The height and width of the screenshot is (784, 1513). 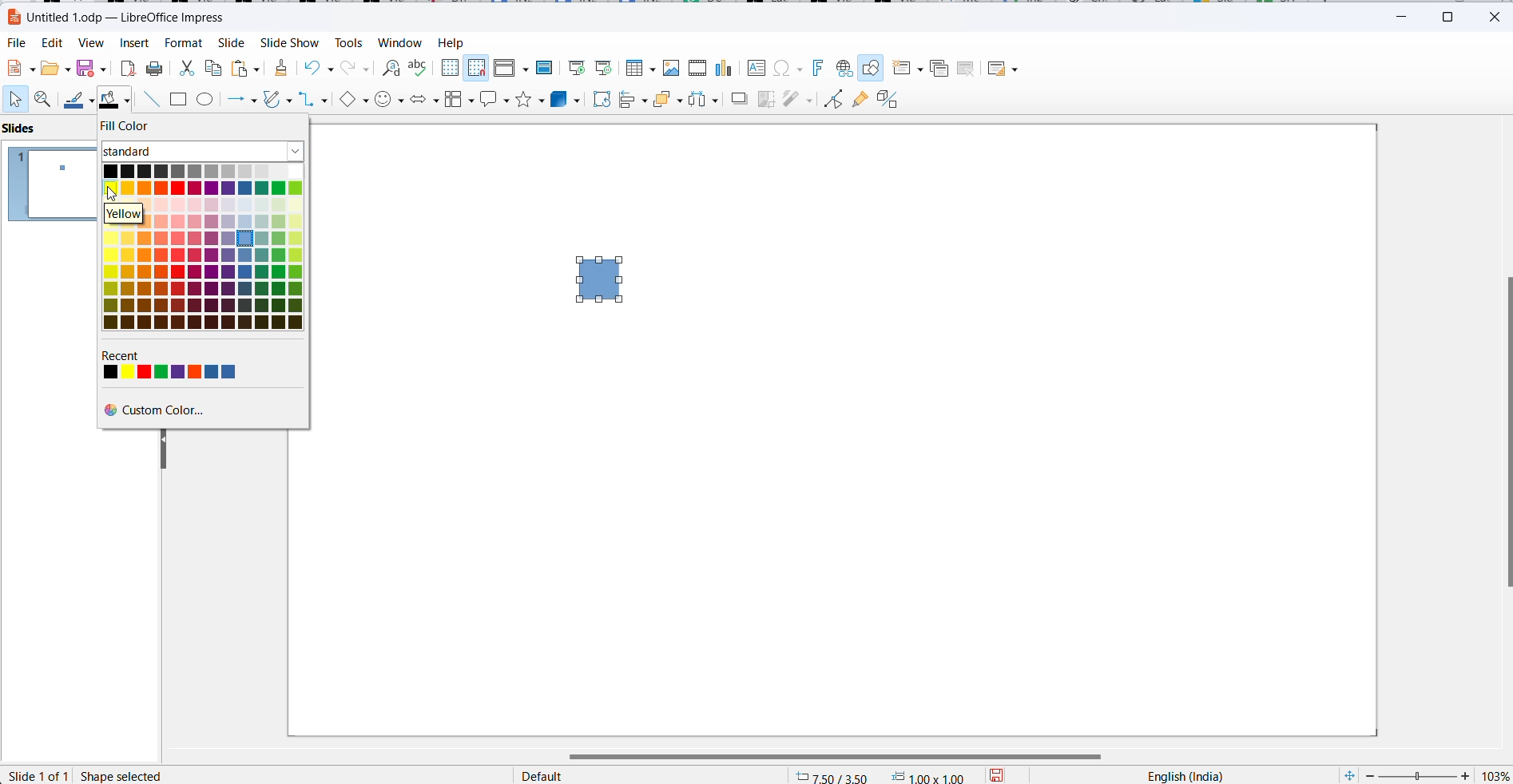 I want to click on cursor, so click(x=113, y=195).